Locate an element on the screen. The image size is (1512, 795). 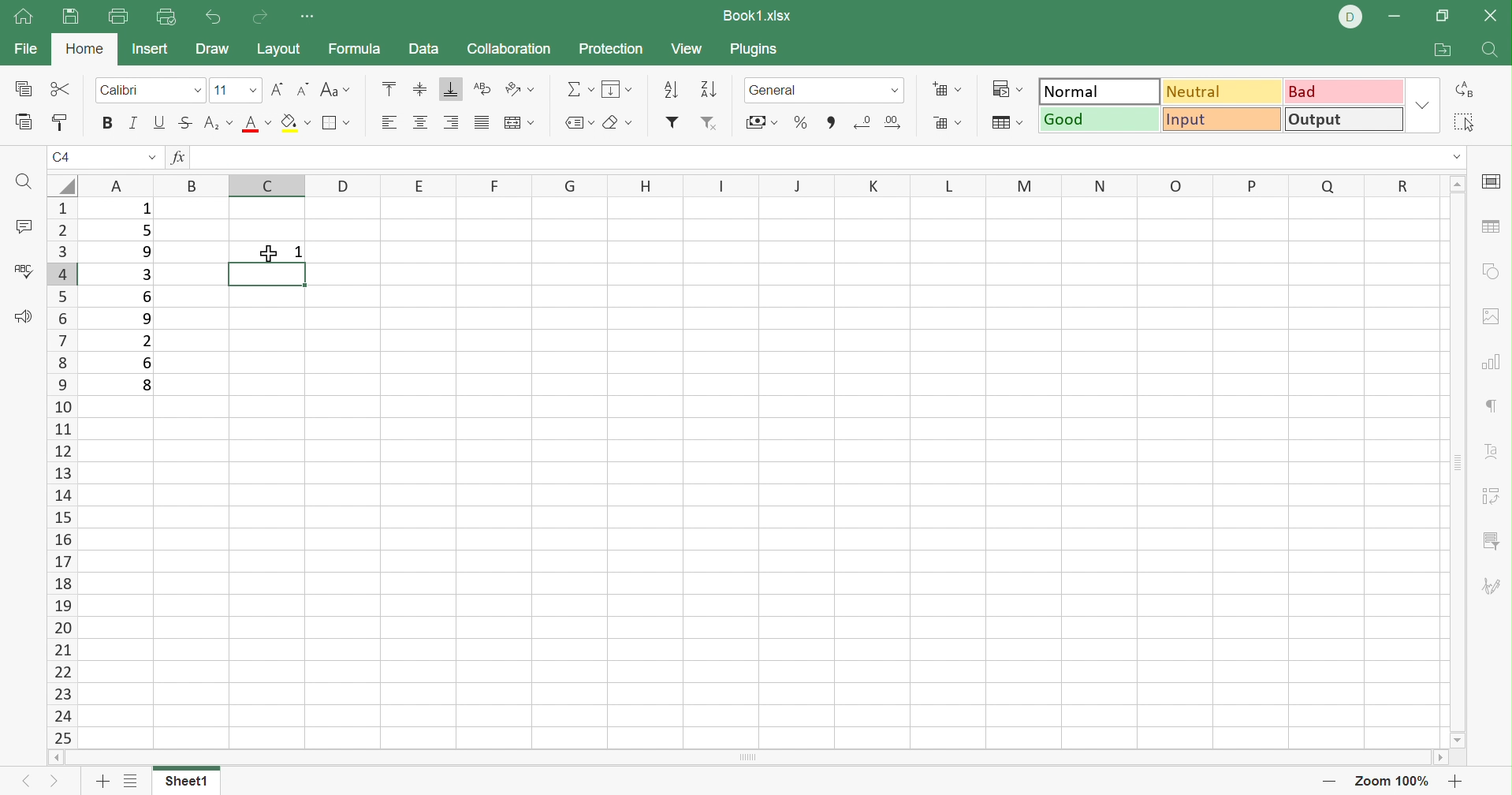
Find is located at coordinates (27, 184).